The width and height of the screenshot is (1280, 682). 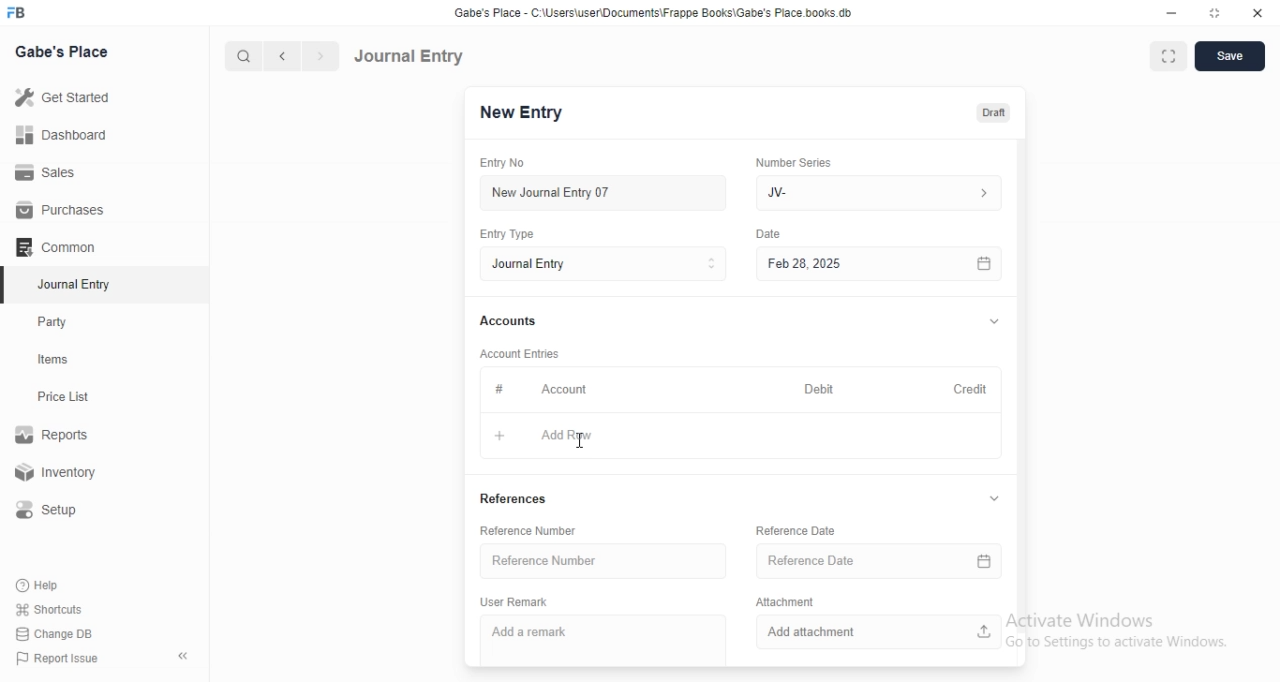 What do you see at coordinates (1169, 58) in the screenshot?
I see `fullscreen` at bounding box center [1169, 58].